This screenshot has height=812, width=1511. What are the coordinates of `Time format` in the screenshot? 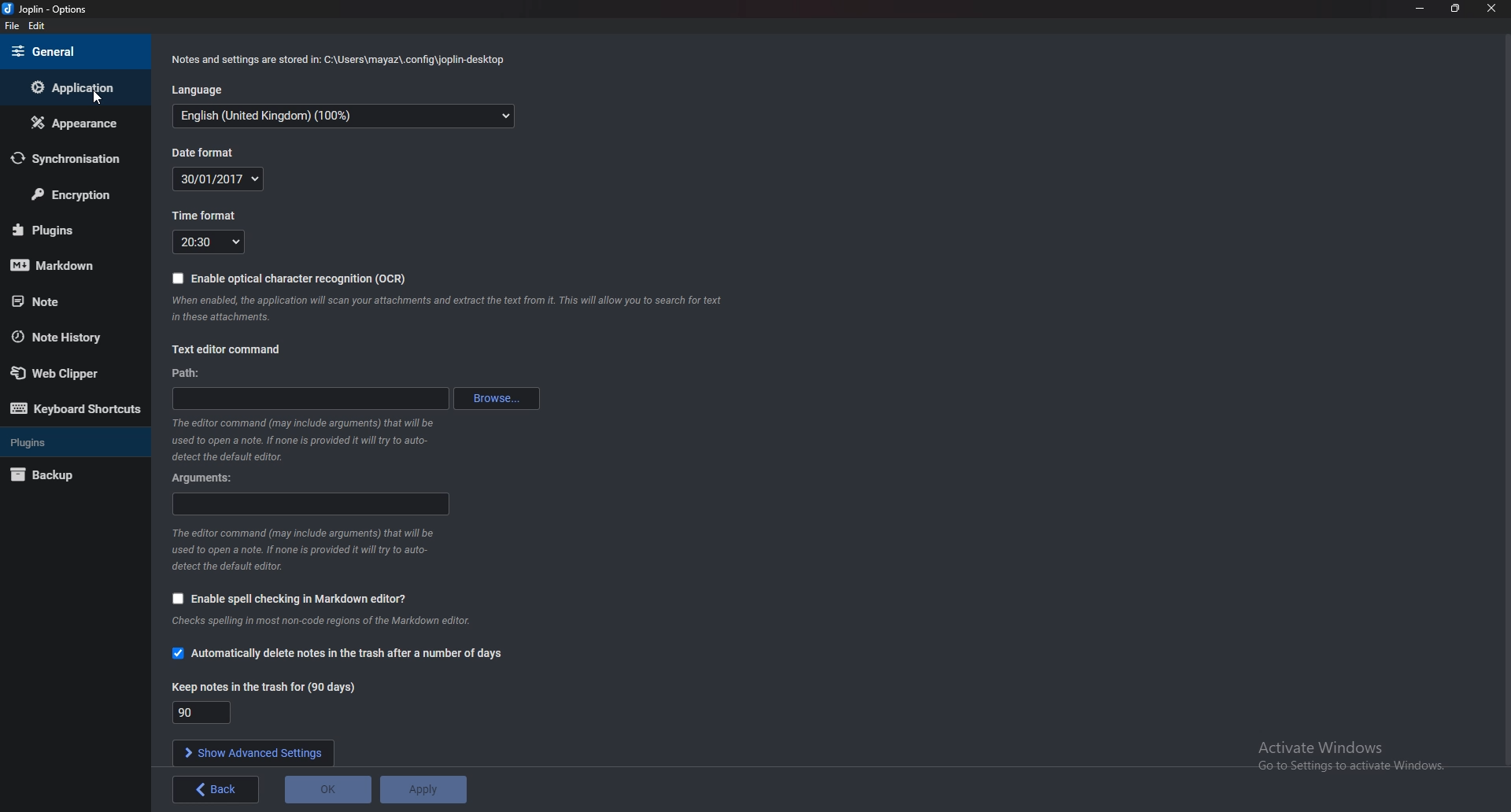 It's located at (213, 215).